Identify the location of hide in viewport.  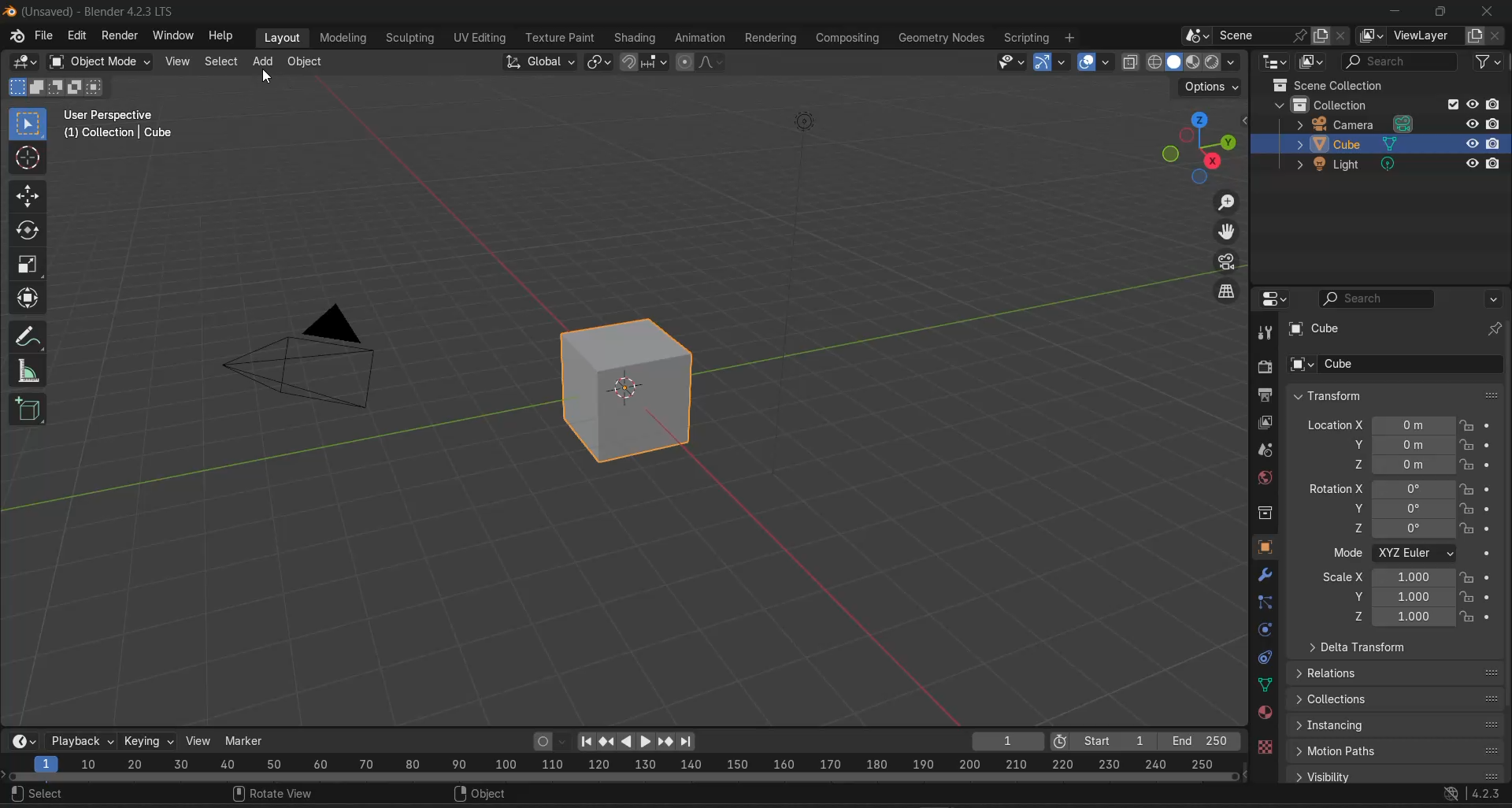
(1470, 124).